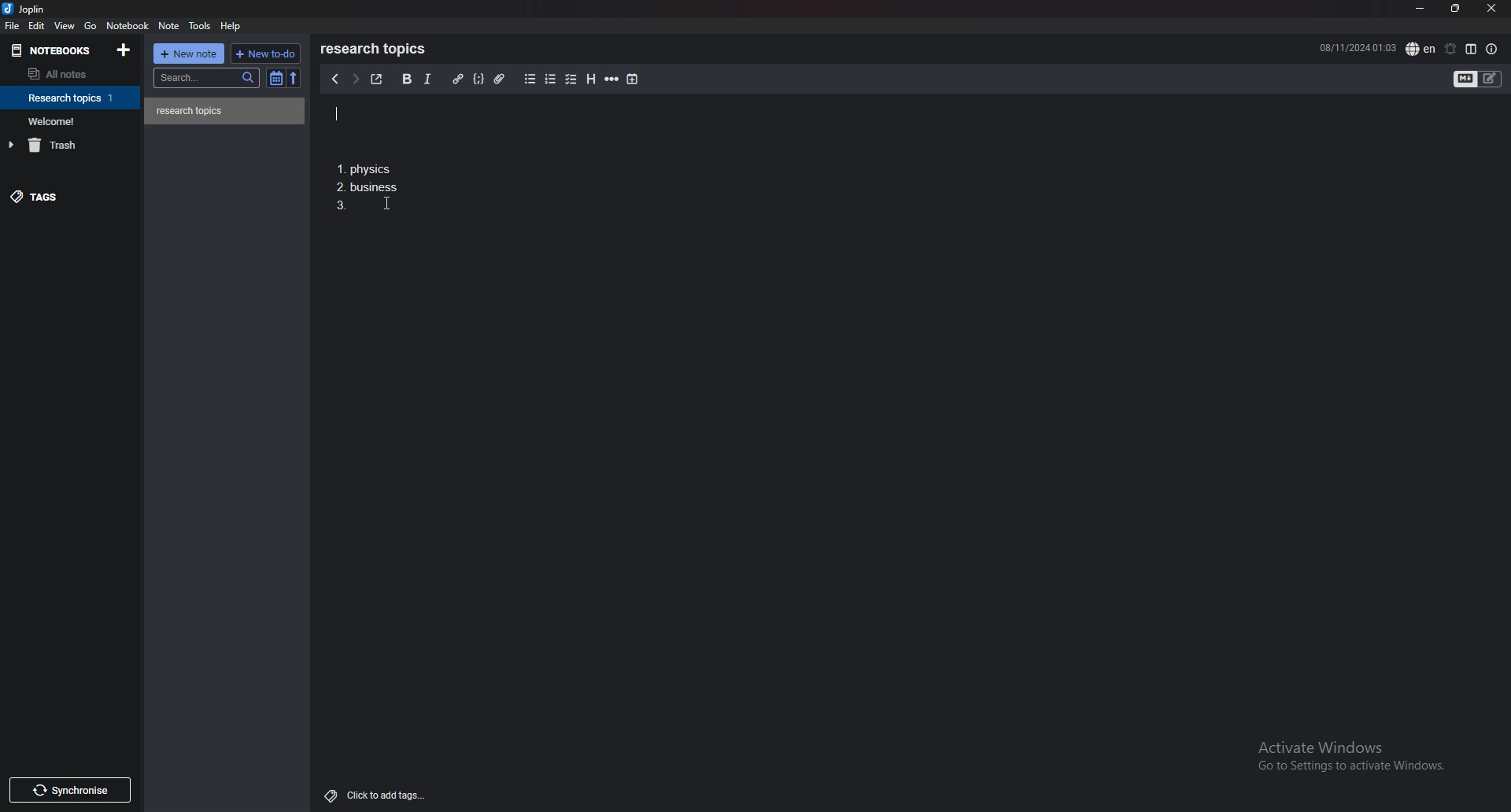  What do you see at coordinates (571, 79) in the screenshot?
I see `checkbox` at bounding box center [571, 79].